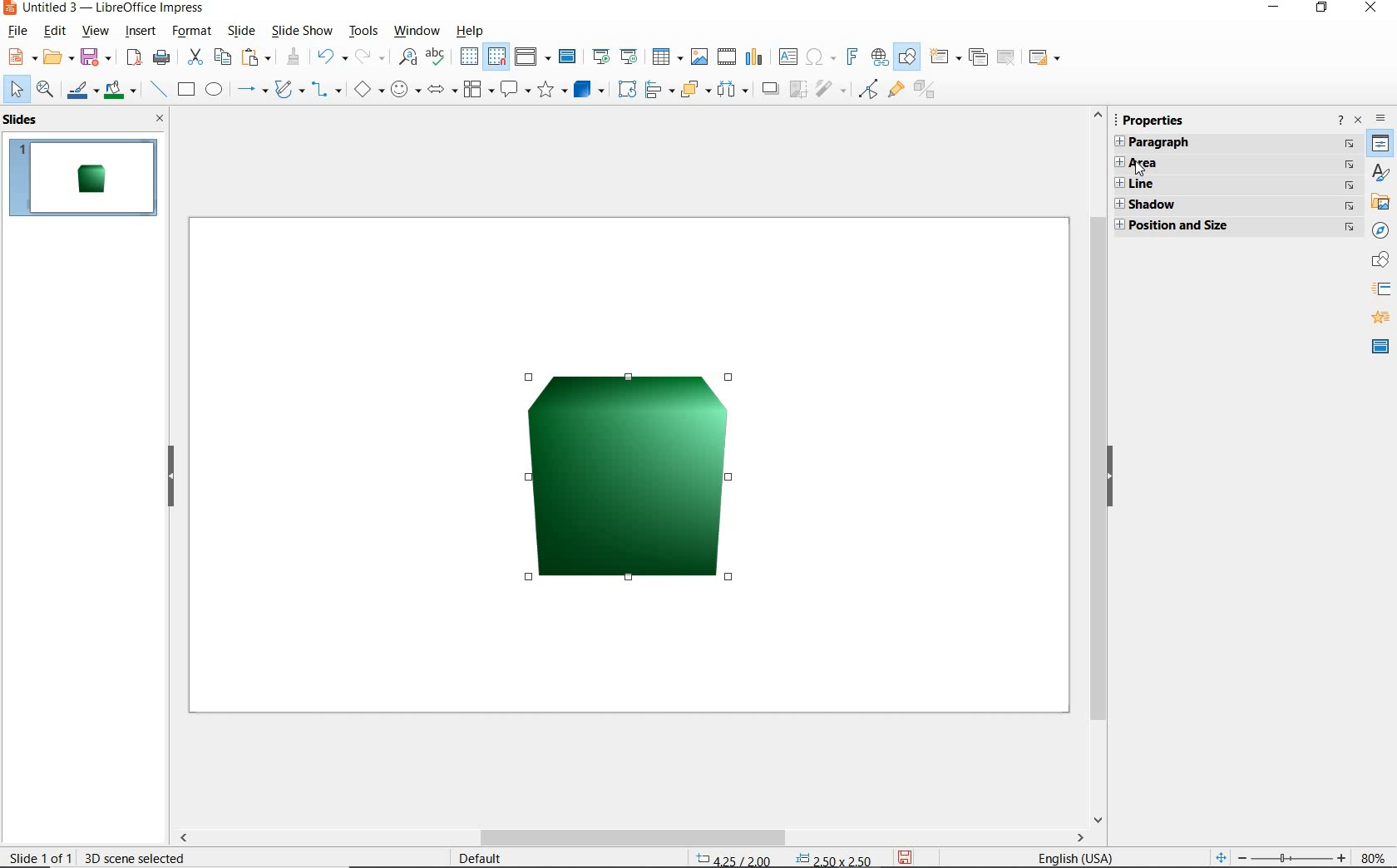 Image resolution: width=1397 pixels, height=868 pixels. I want to click on flowchart, so click(478, 89).